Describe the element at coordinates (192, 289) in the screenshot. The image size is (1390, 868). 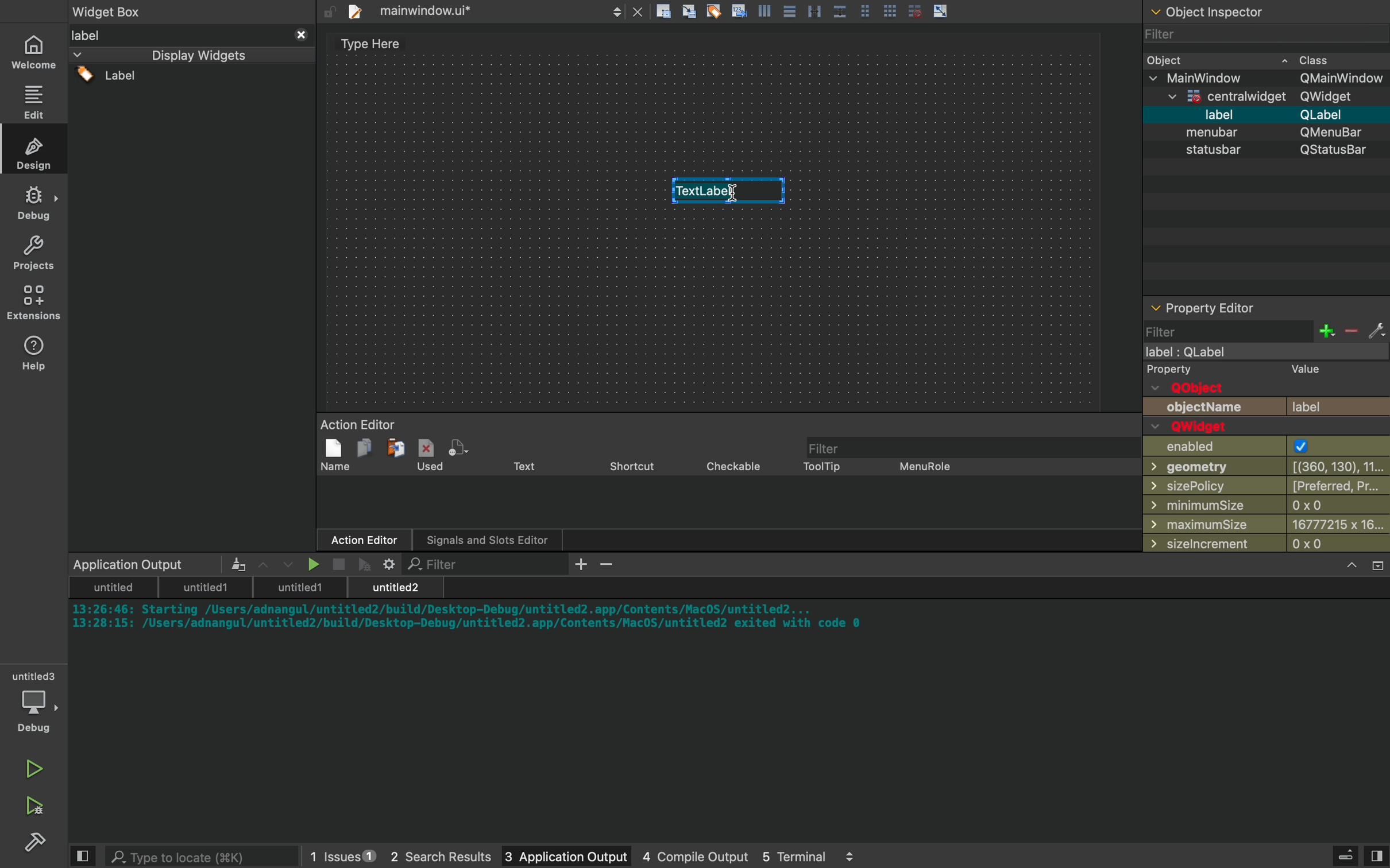
I see `widgets` at that location.